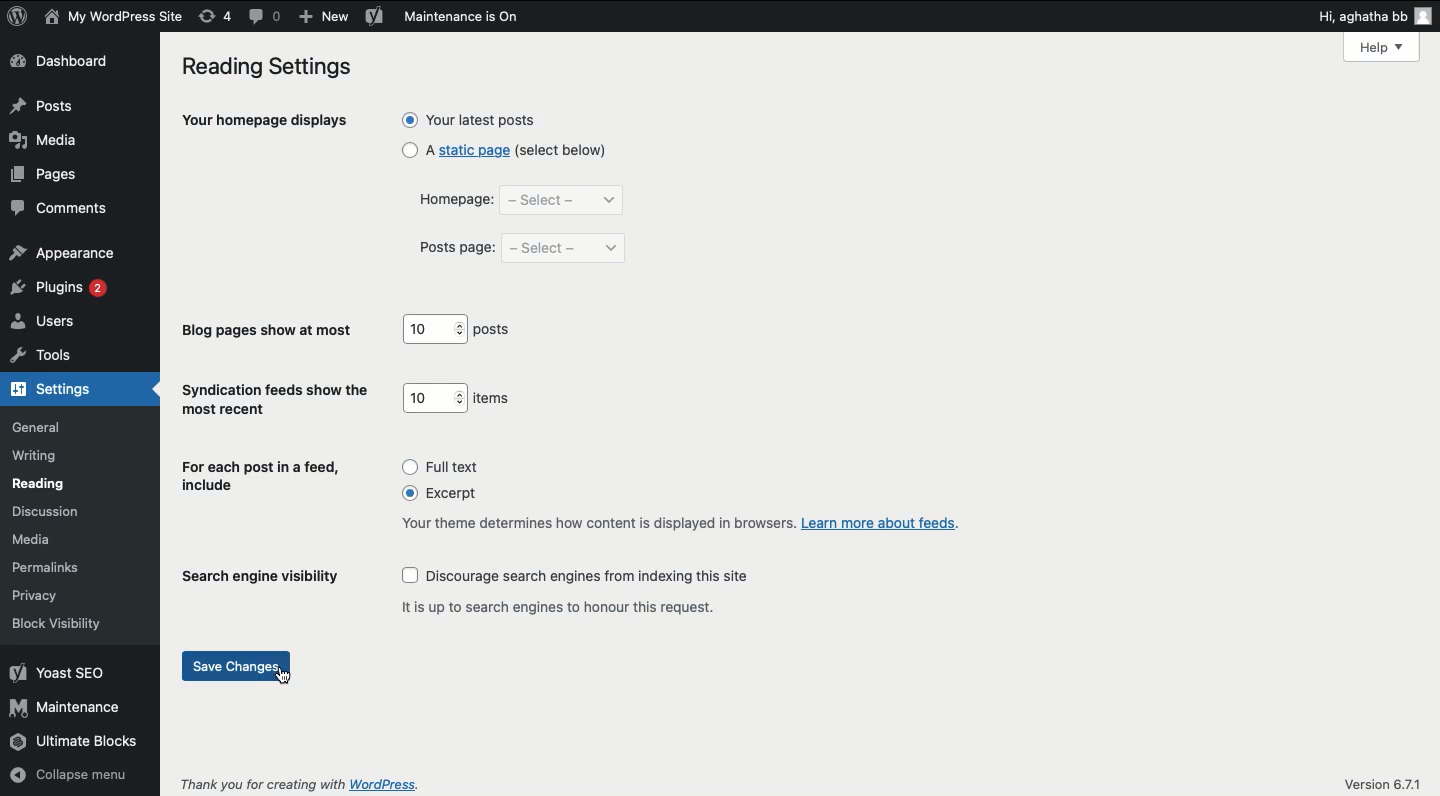 Image resolution: width=1440 pixels, height=796 pixels. I want to click on yoast seo, so click(374, 16).